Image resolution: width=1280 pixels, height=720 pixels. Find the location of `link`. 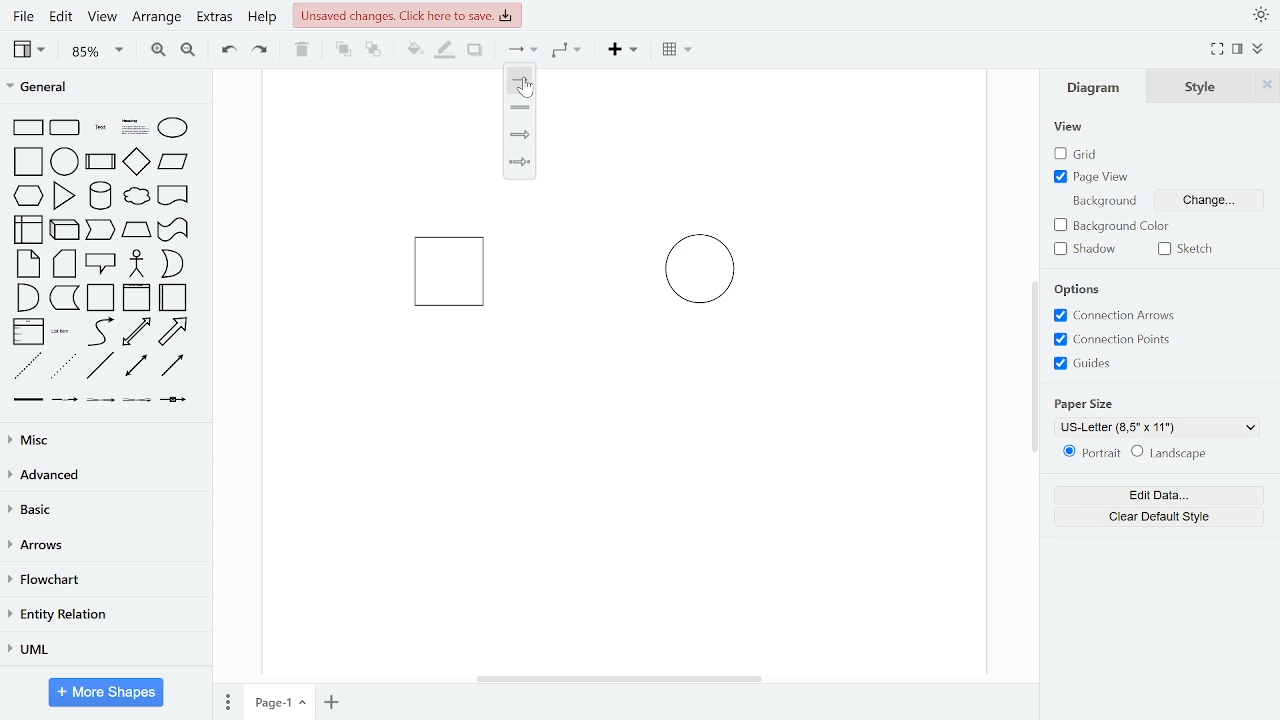

link is located at coordinates (521, 106).